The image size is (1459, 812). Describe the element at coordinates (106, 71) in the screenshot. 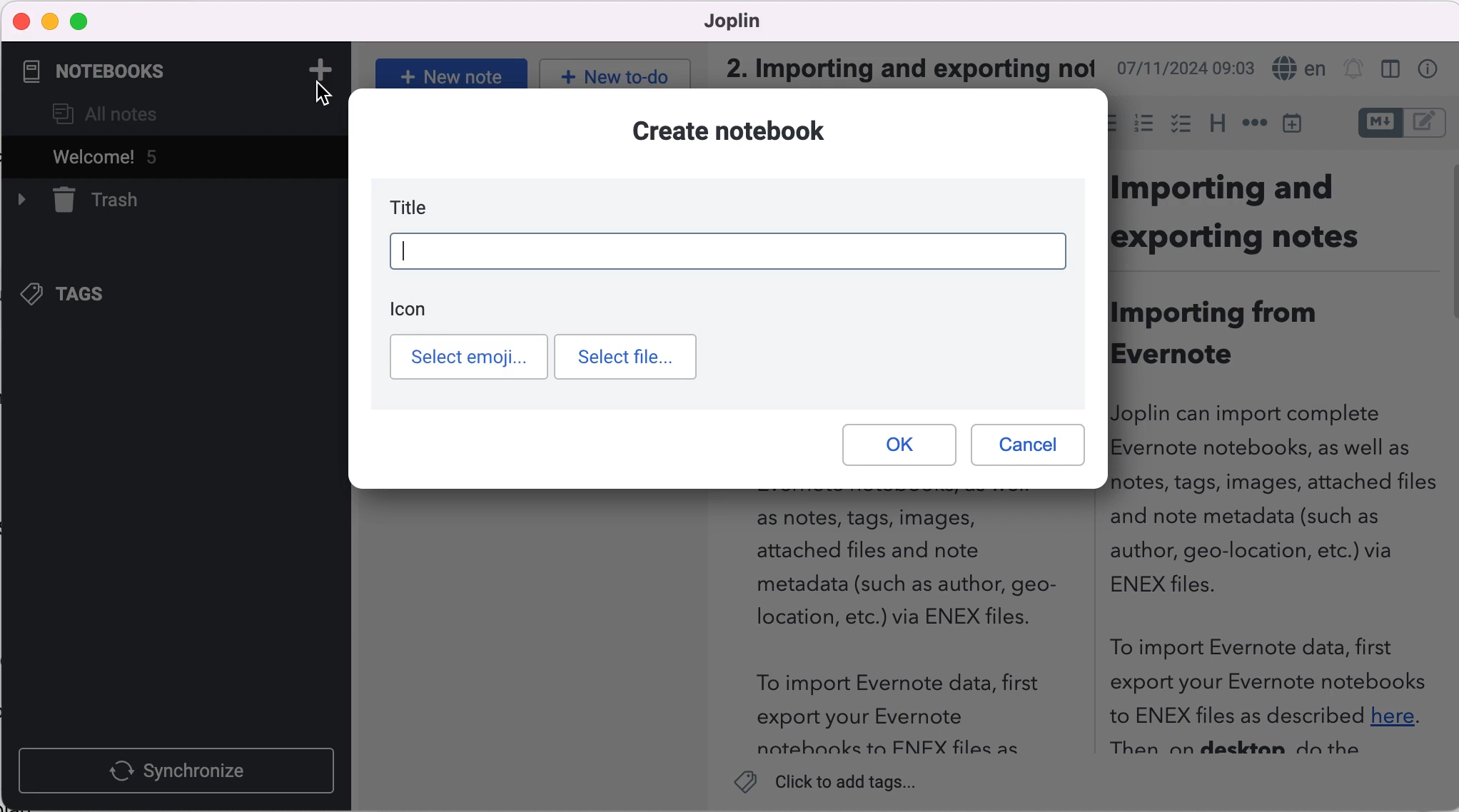

I see `notebooks` at that location.